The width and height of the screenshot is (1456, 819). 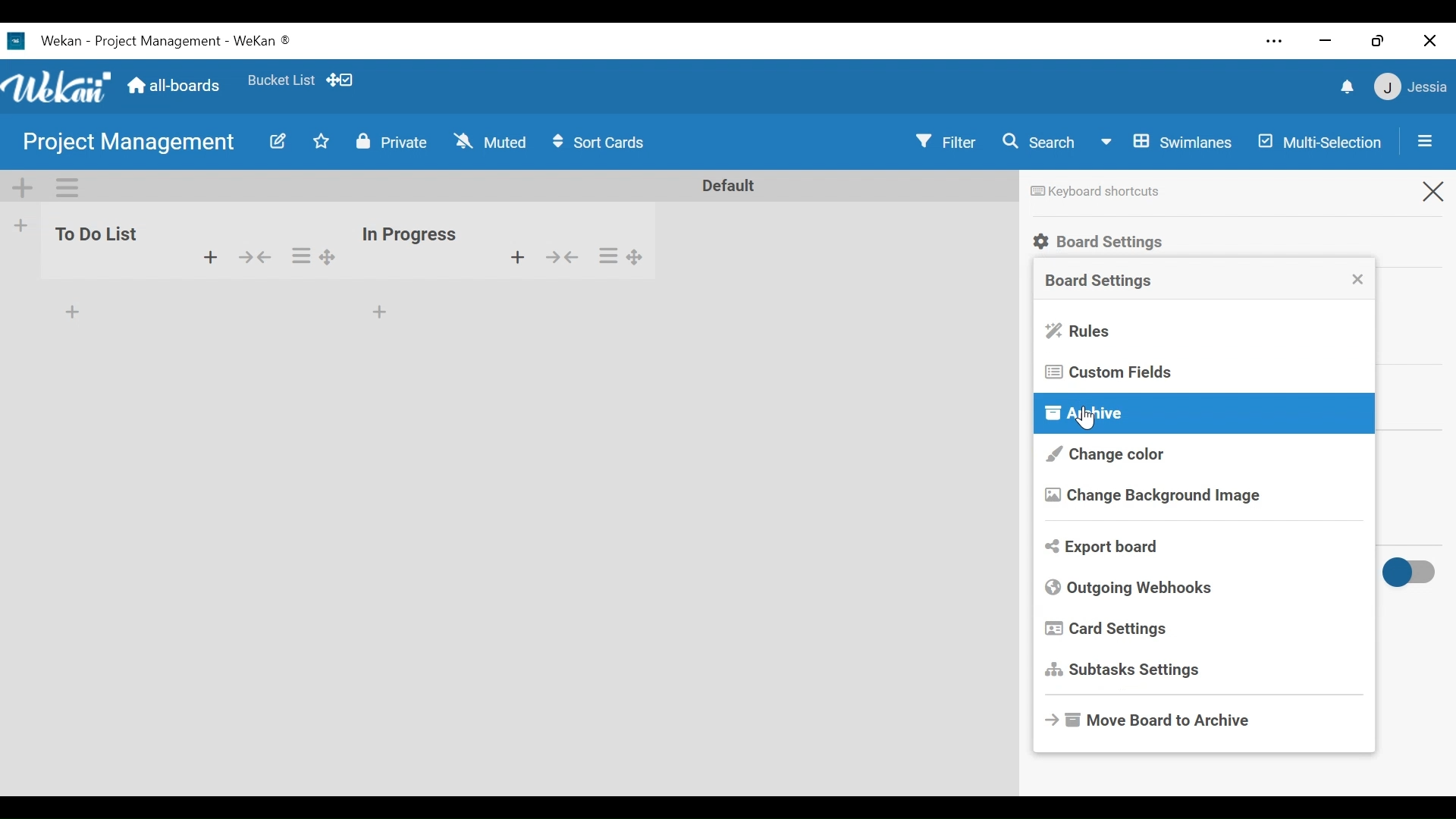 I want to click on Outgoing Webhooks, so click(x=1131, y=587).